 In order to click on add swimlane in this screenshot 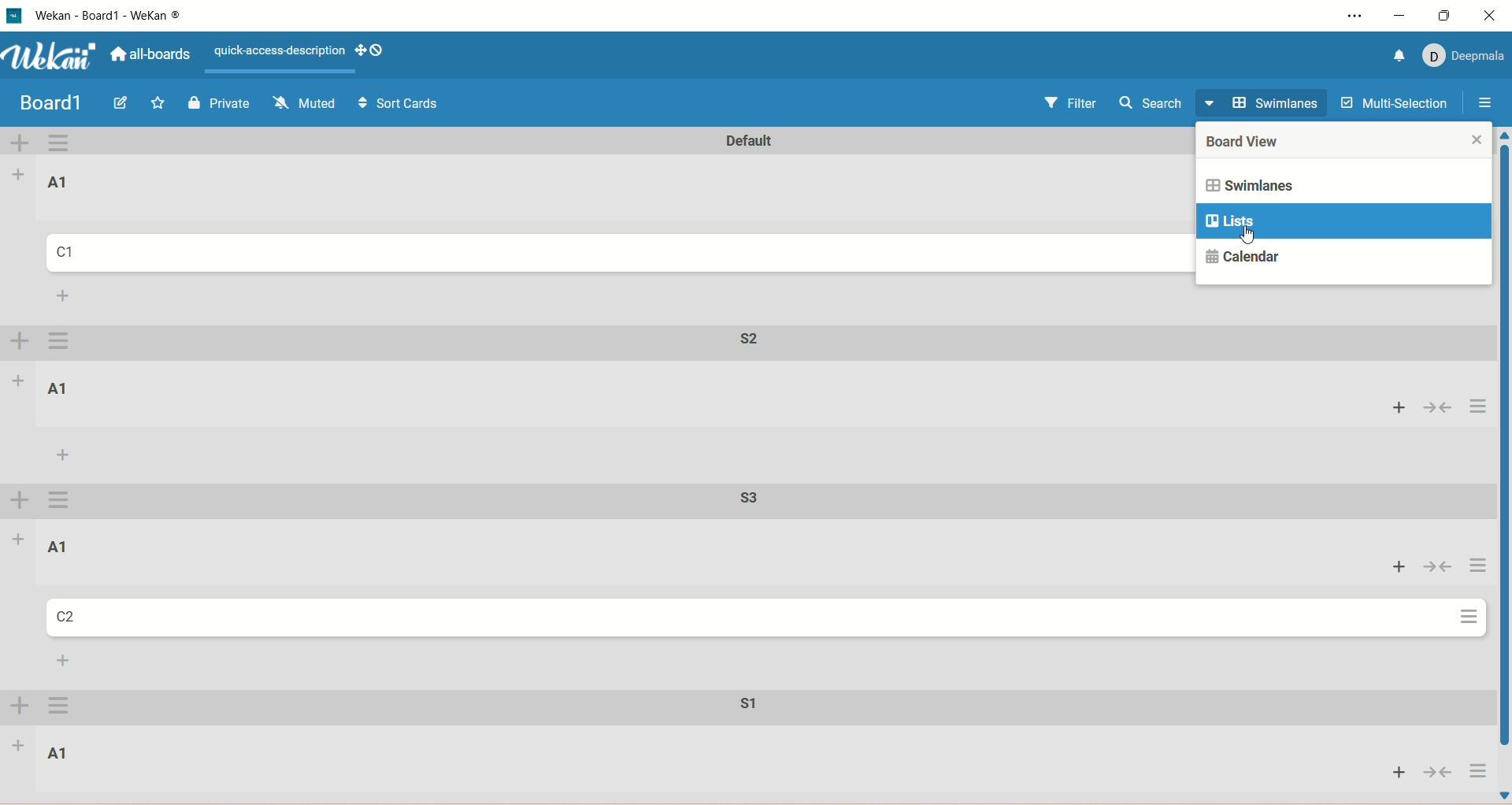, I will do `click(21, 143)`.